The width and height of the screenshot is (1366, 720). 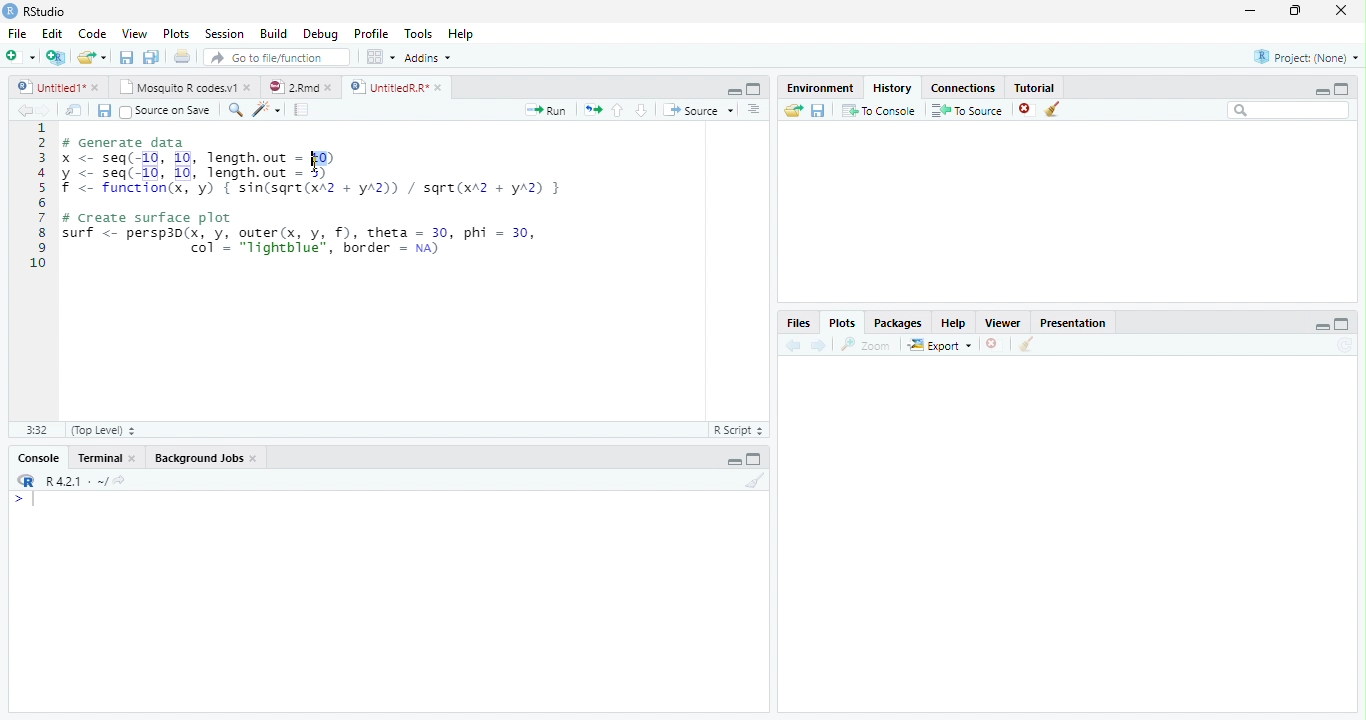 What do you see at coordinates (996, 344) in the screenshot?
I see `Remove current plot` at bounding box center [996, 344].